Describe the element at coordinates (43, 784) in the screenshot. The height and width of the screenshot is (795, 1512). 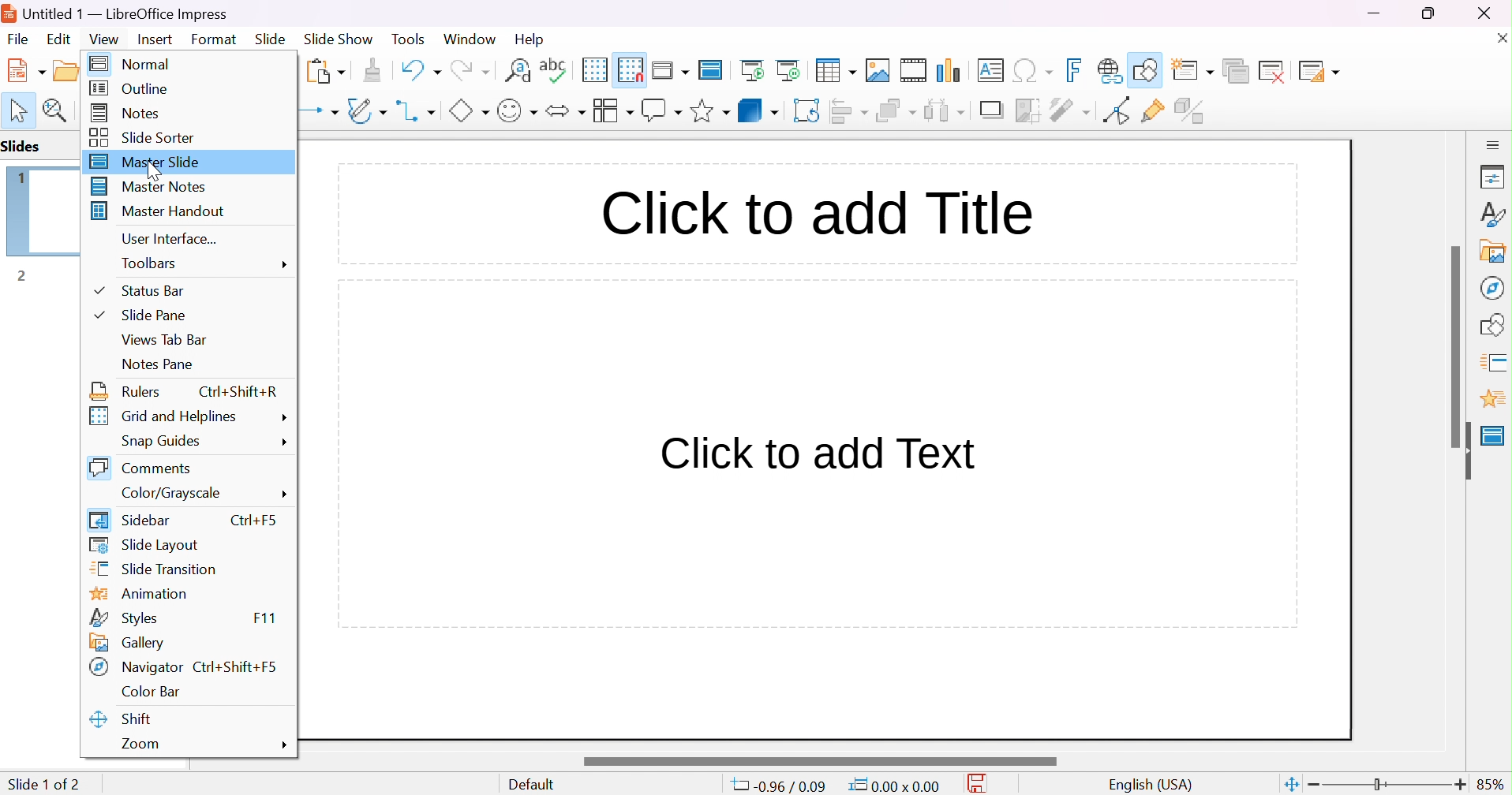
I see `slide 1 of 2` at that location.